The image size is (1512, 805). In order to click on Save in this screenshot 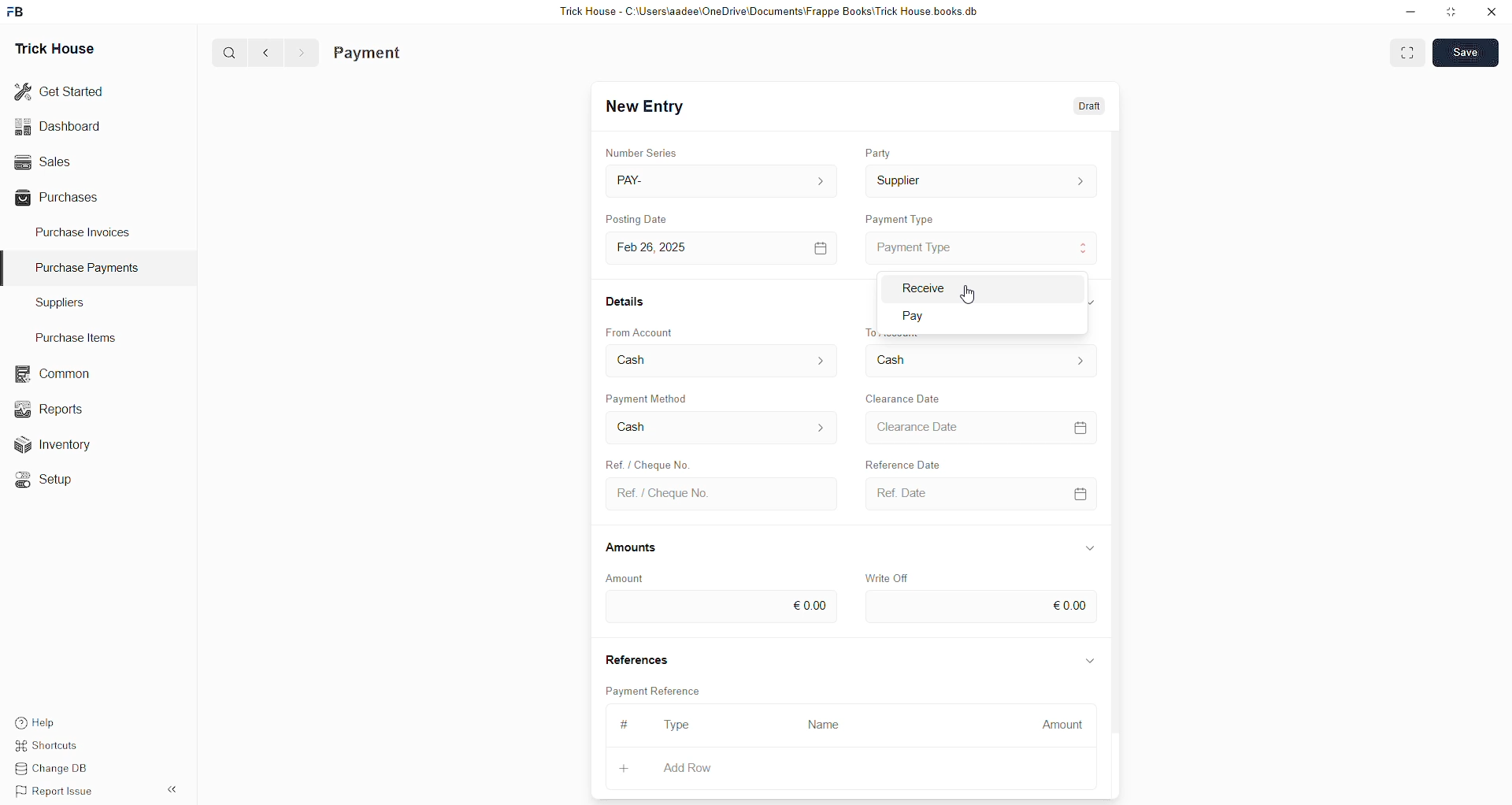, I will do `click(1464, 54)`.